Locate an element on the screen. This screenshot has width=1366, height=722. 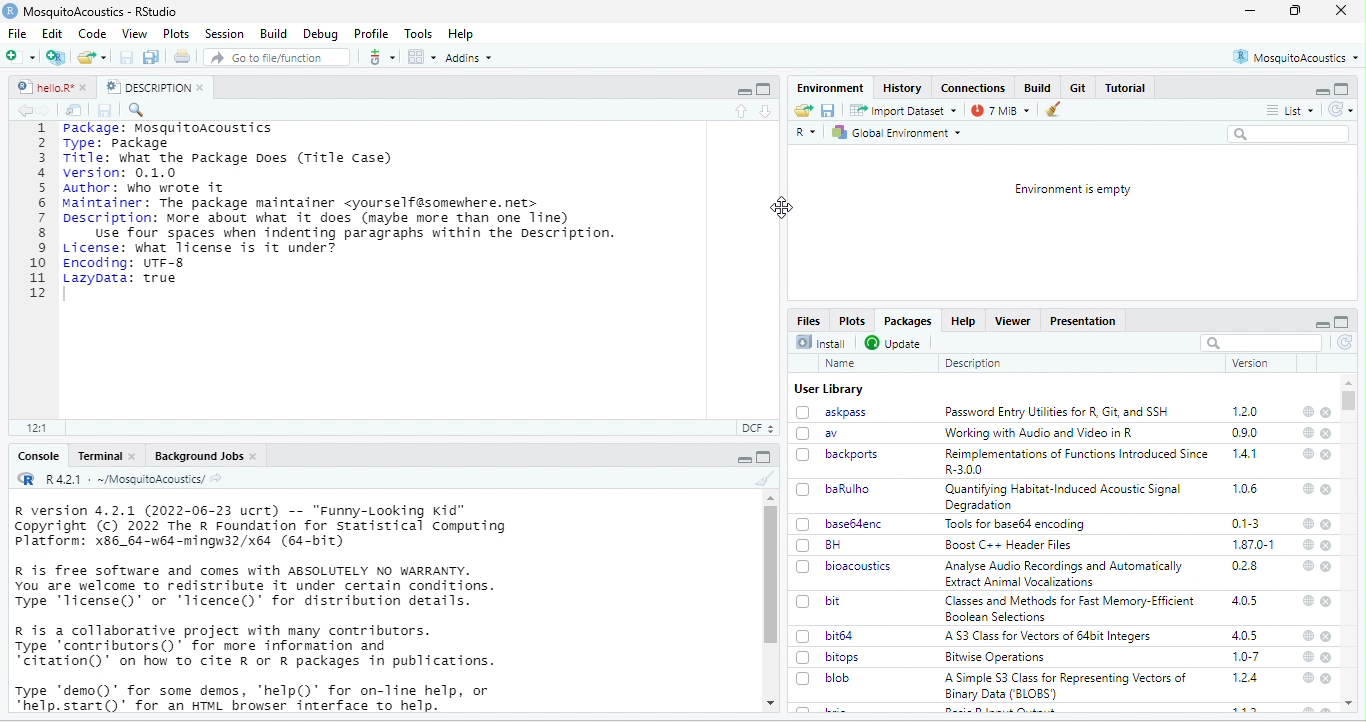
close is located at coordinates (1327, 455).